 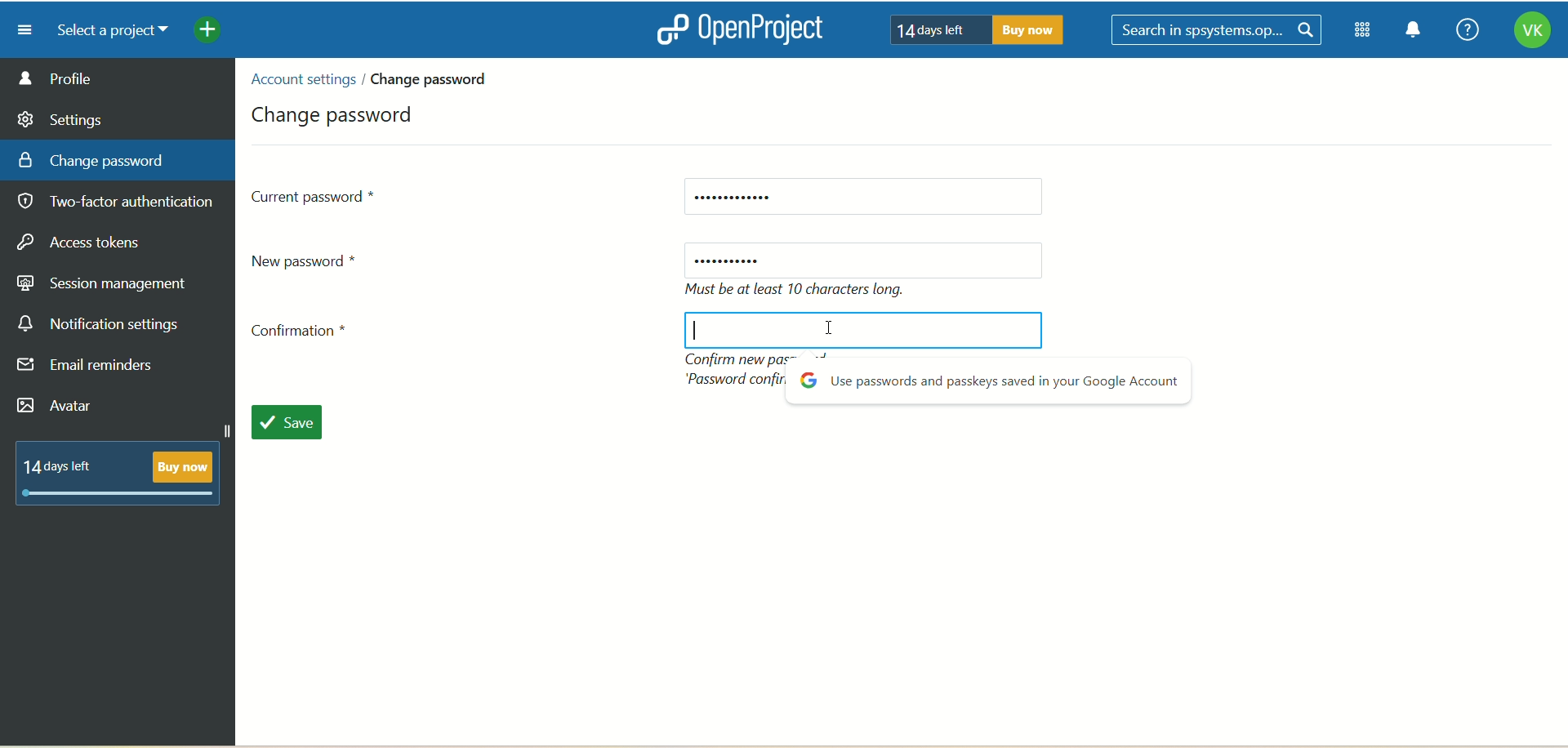 I want to click on current password, so click(x=862, y=198).